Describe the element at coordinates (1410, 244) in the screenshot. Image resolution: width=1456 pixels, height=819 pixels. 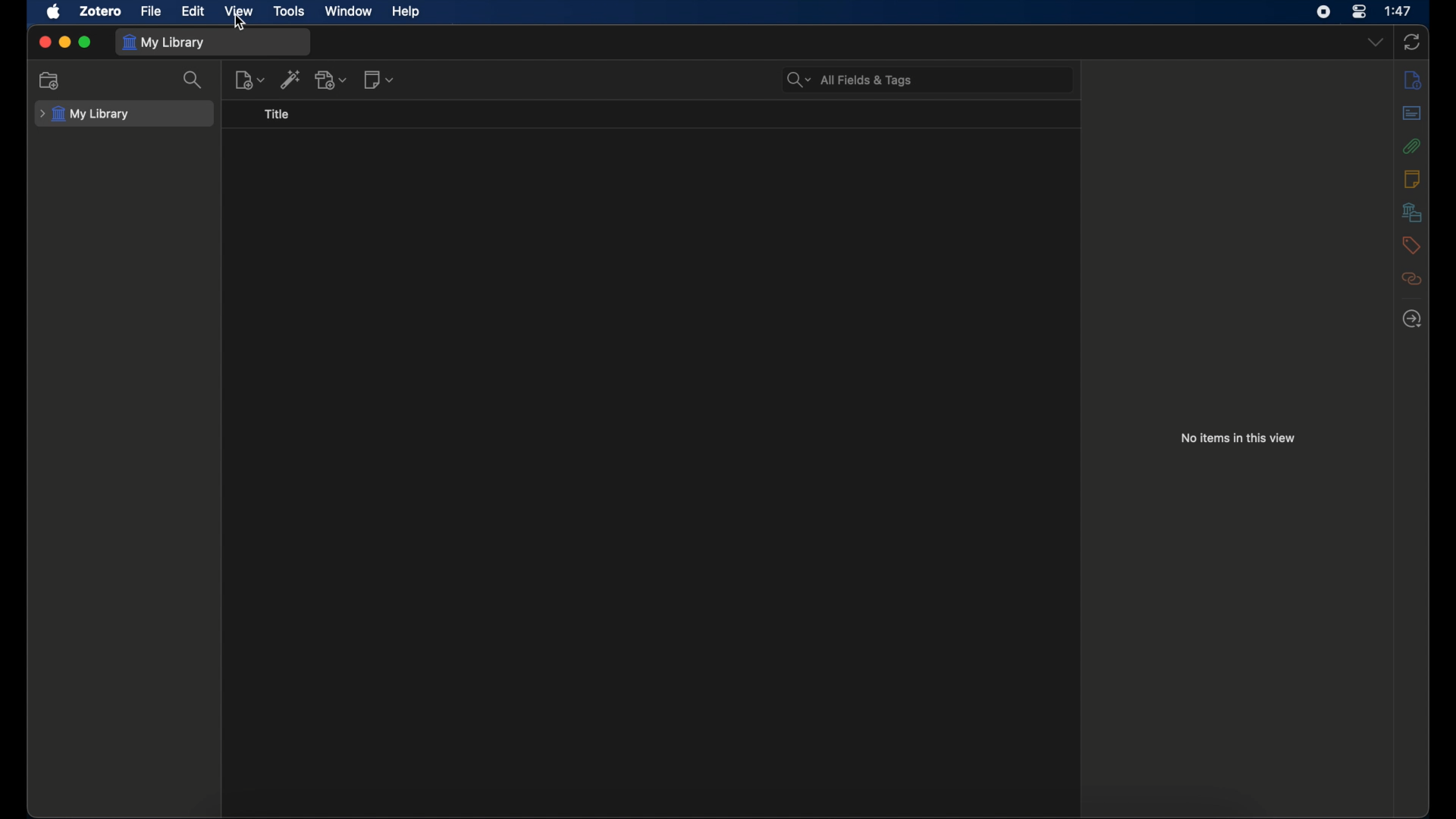
I see `tags` at that location.